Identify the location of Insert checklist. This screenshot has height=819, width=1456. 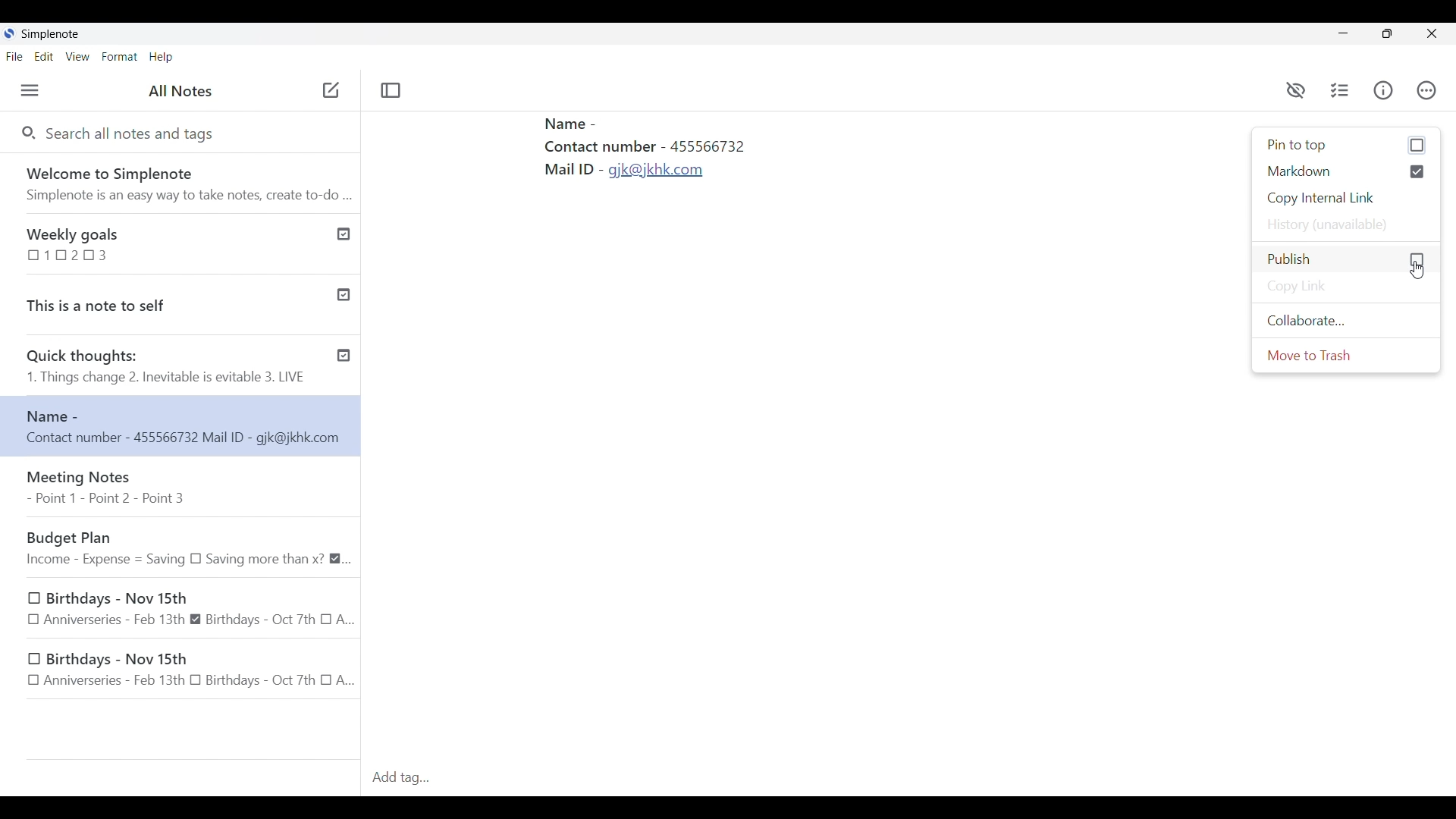
(1341, 90).